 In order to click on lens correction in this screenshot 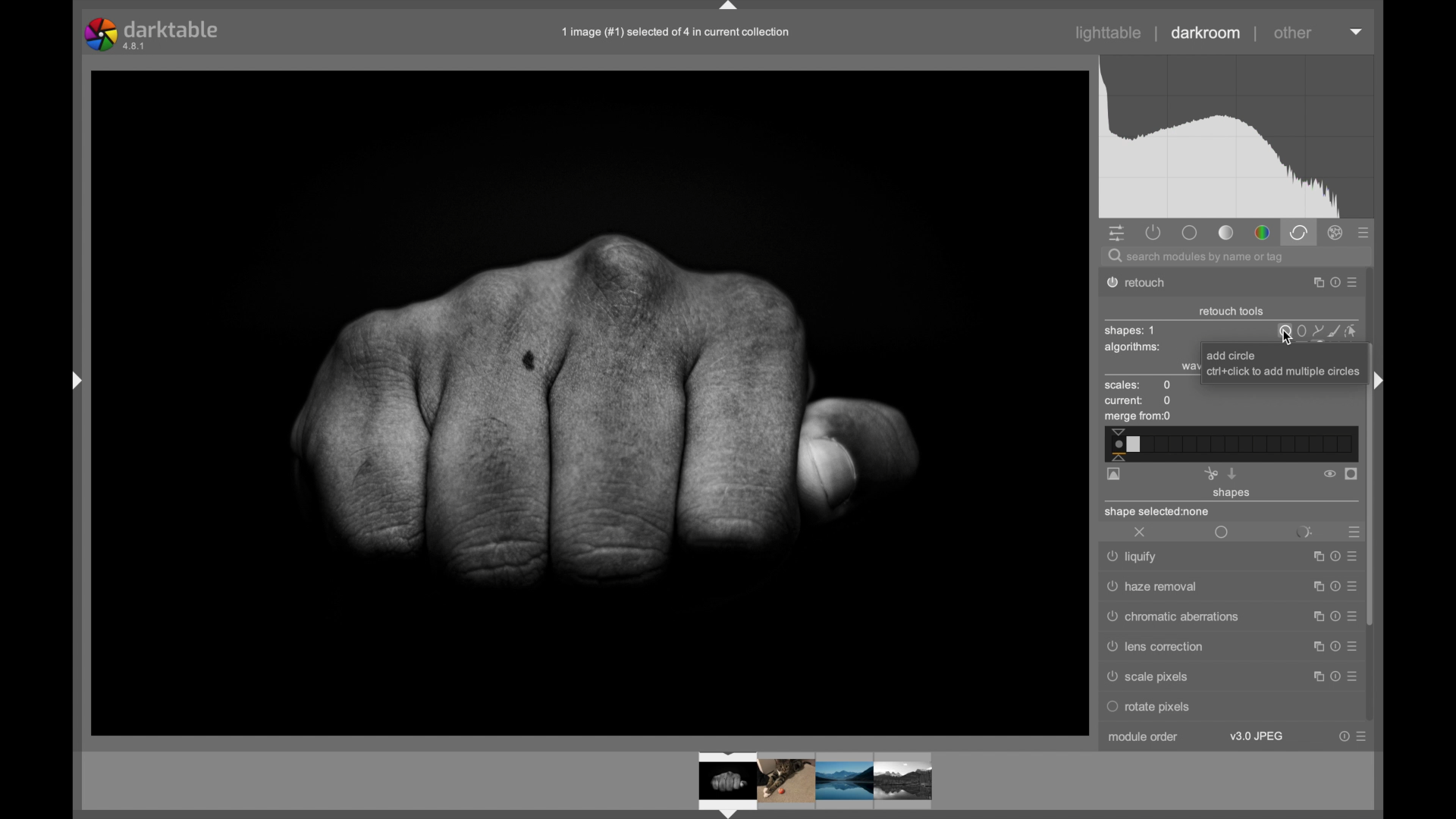, I will do `click(1164, 648)`.